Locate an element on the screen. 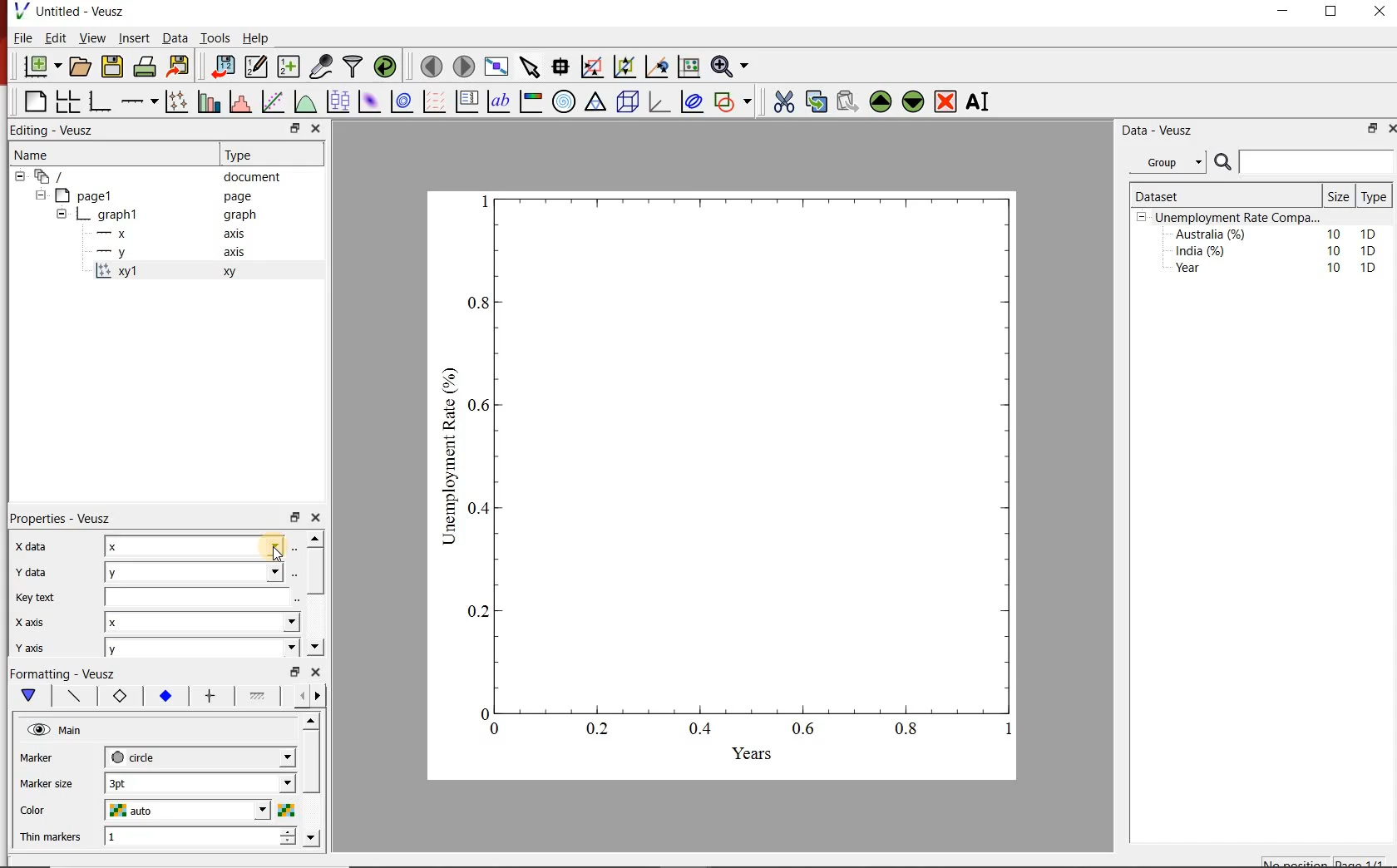 This screenshot has height=868, width=1397. click or draw rectangle on the zoom graph axes is located at coordinates (593, 67).